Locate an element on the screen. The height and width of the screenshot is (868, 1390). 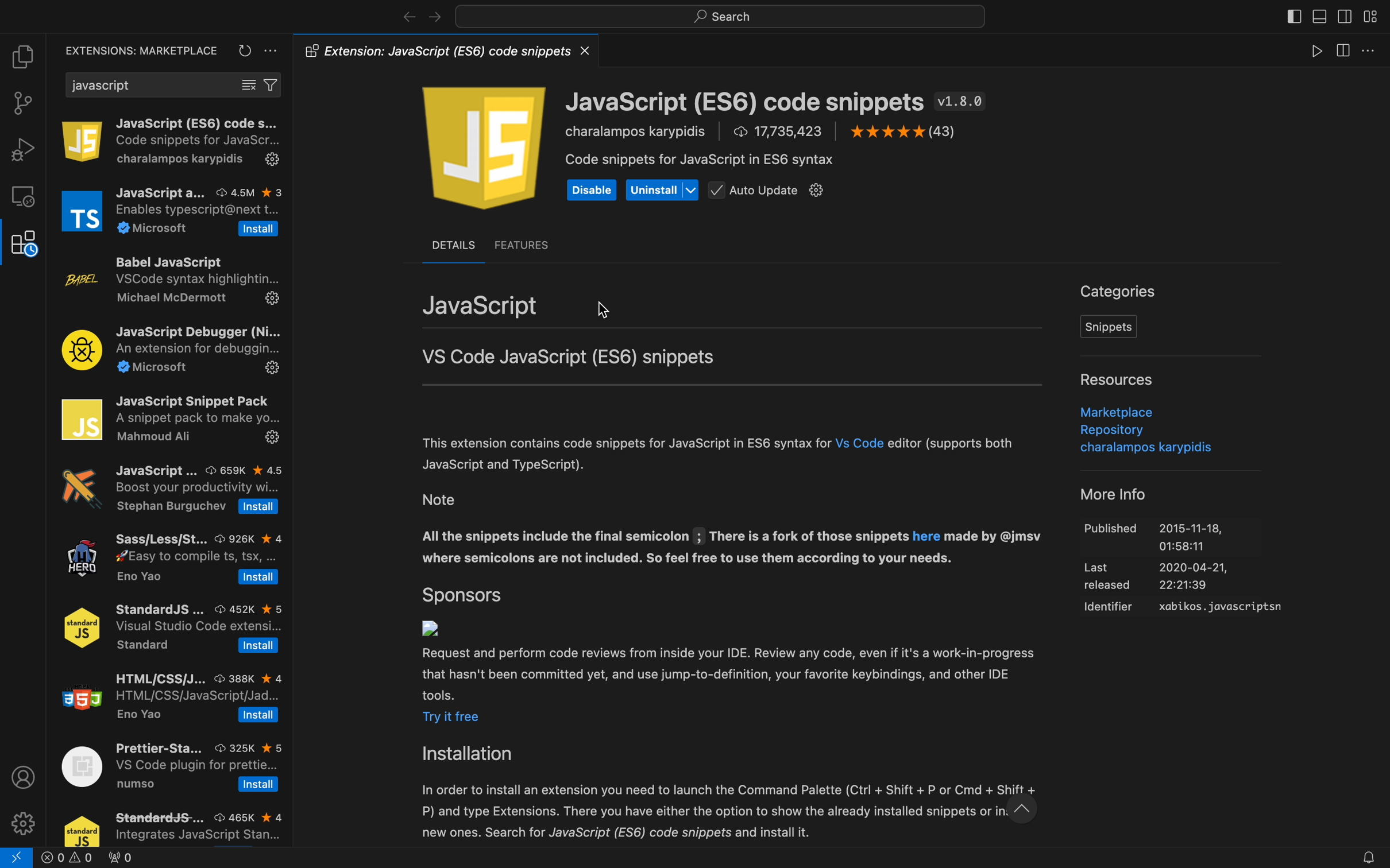
@5 Extension: JavaScript (ES6) code snippets X is located at coordinates (447, 50).